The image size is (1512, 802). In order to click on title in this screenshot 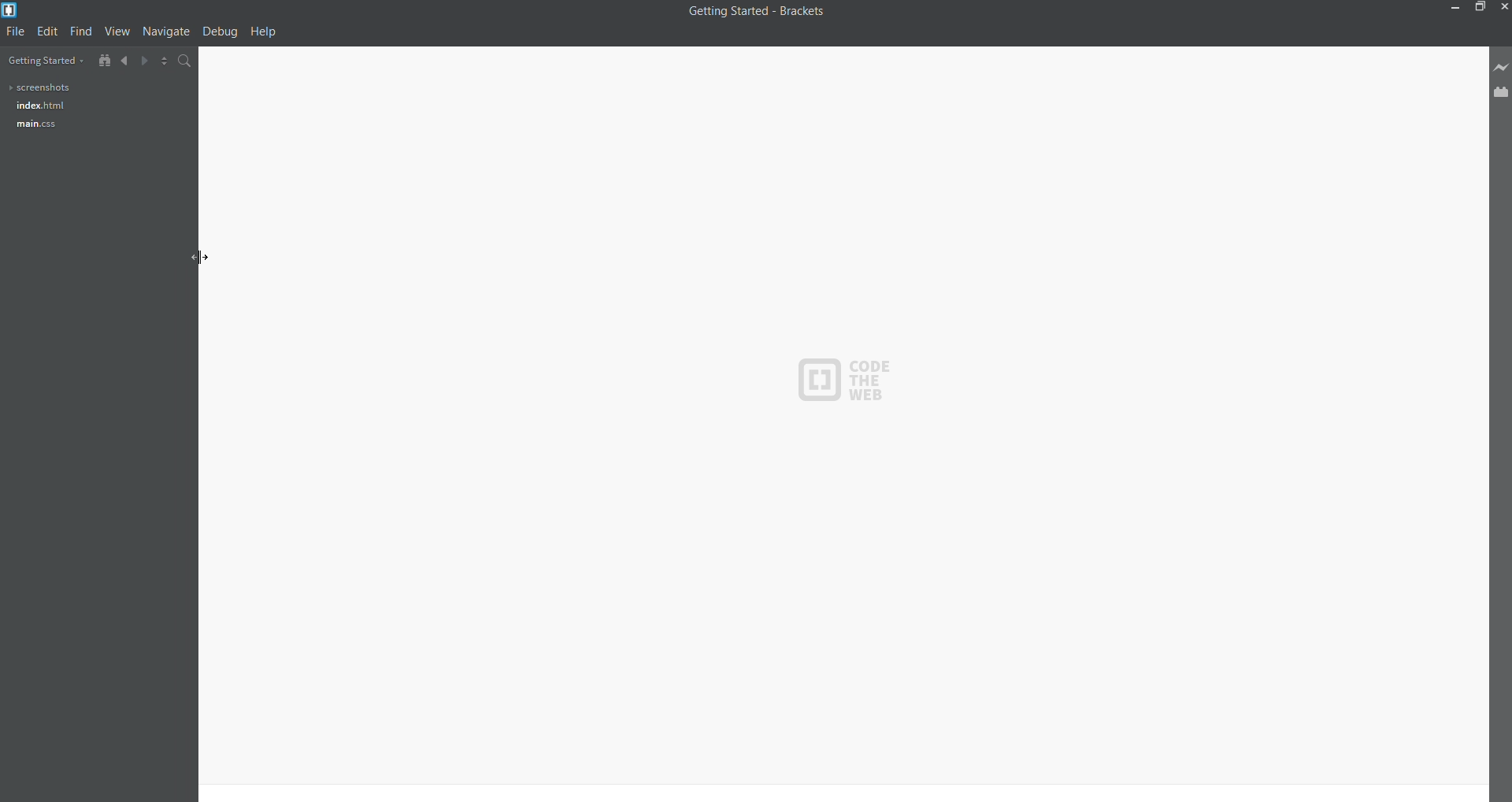, I will do `click(755, 16)`.